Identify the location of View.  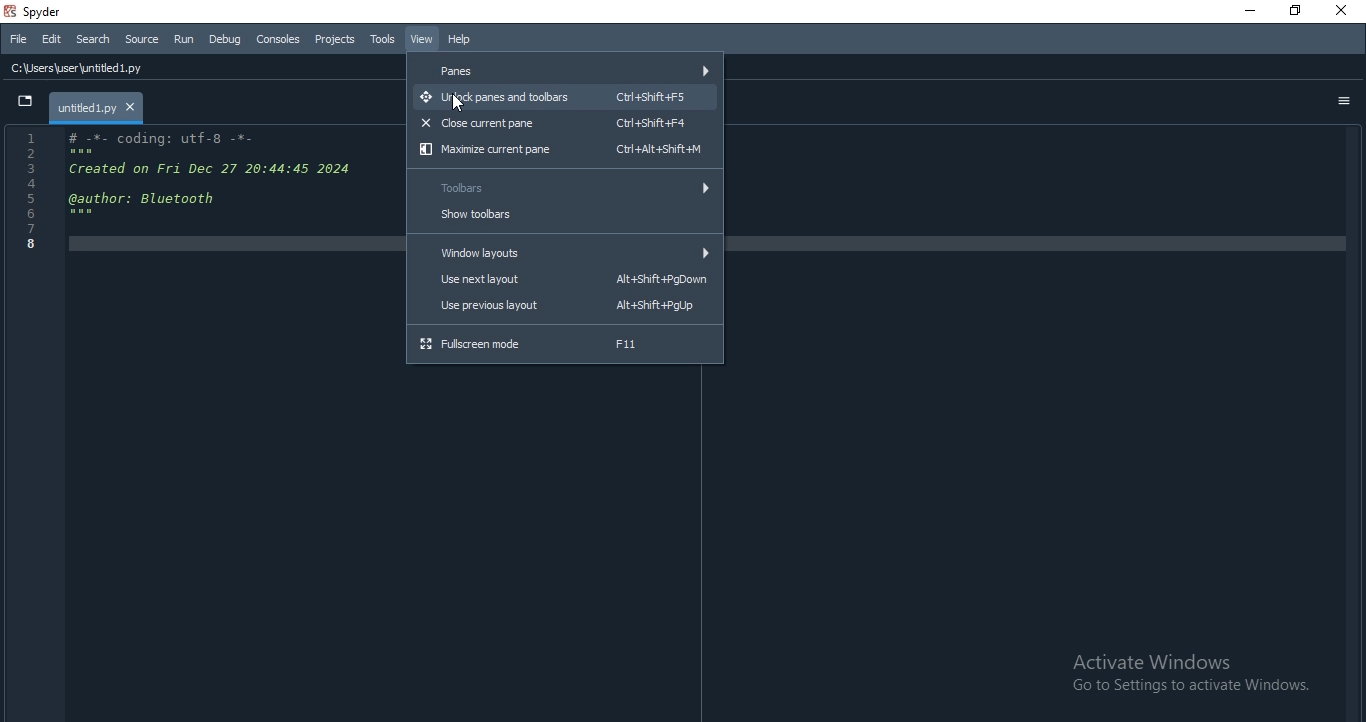
(422, 39).